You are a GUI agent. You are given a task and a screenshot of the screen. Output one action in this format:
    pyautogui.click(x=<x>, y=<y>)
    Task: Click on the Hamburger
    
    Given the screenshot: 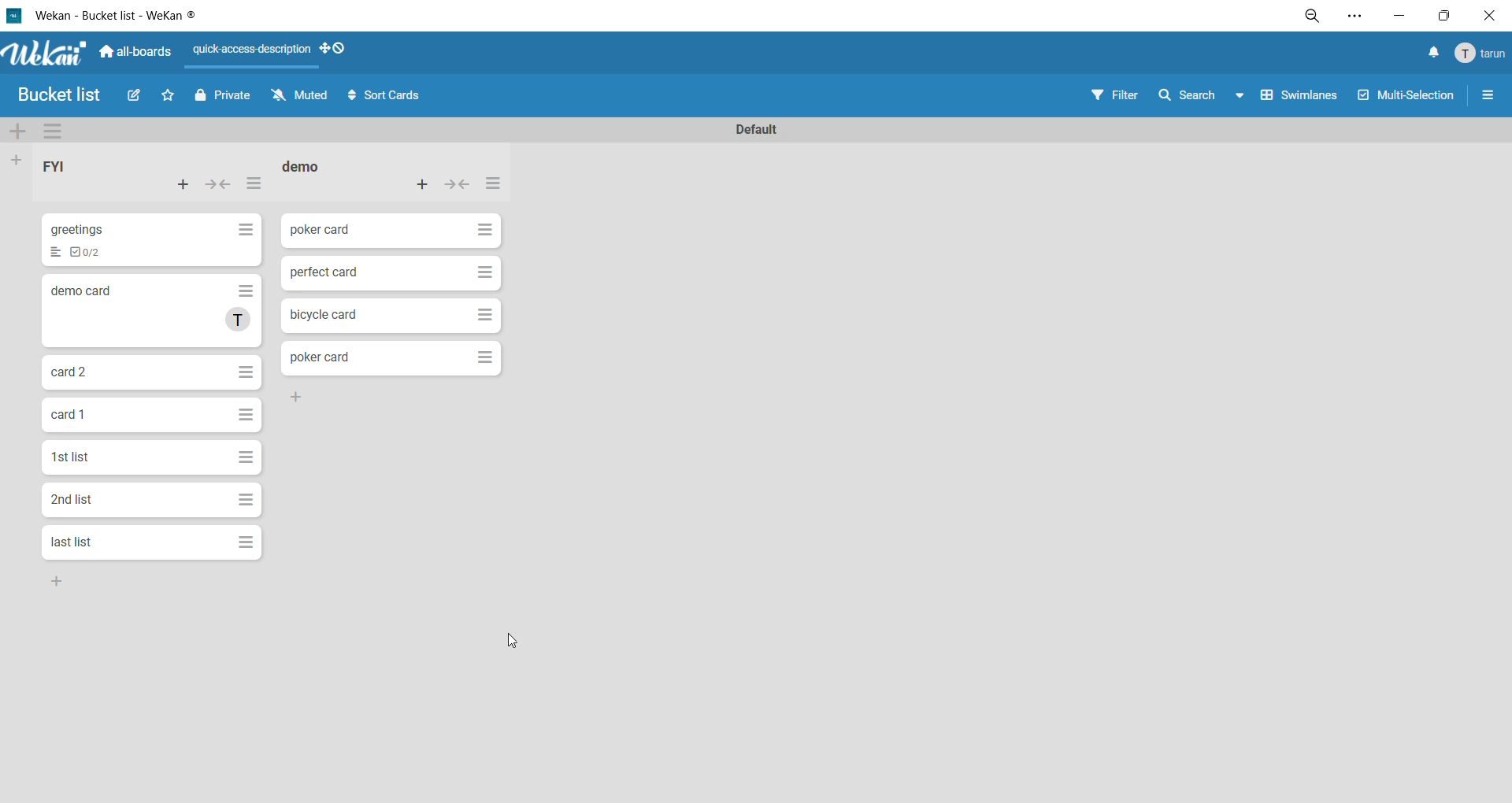 What is the action you would take?
    pyautogui.click(x=245, y=456)
    